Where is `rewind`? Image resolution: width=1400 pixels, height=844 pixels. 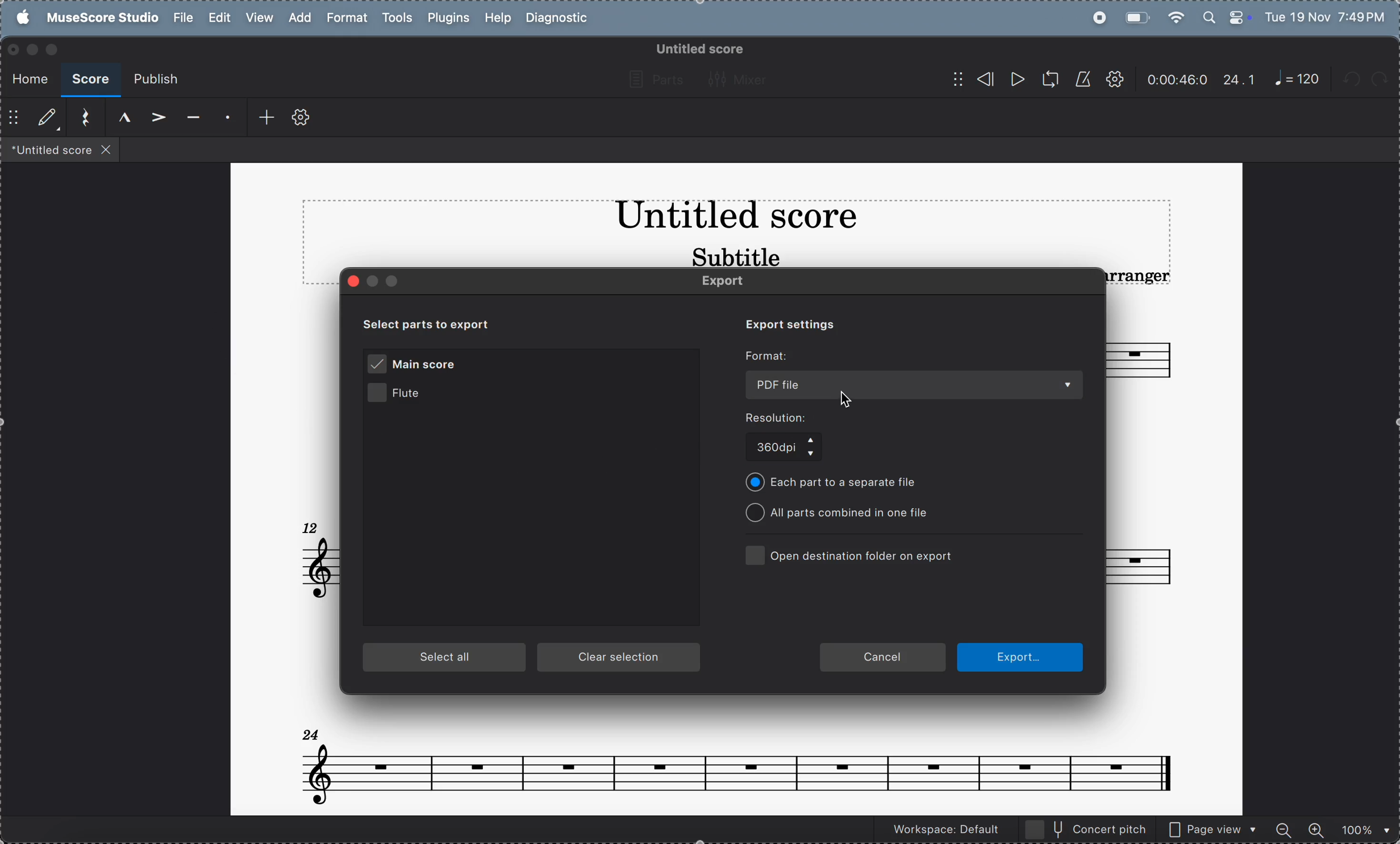
rewind is located at coordinates (972, 79).